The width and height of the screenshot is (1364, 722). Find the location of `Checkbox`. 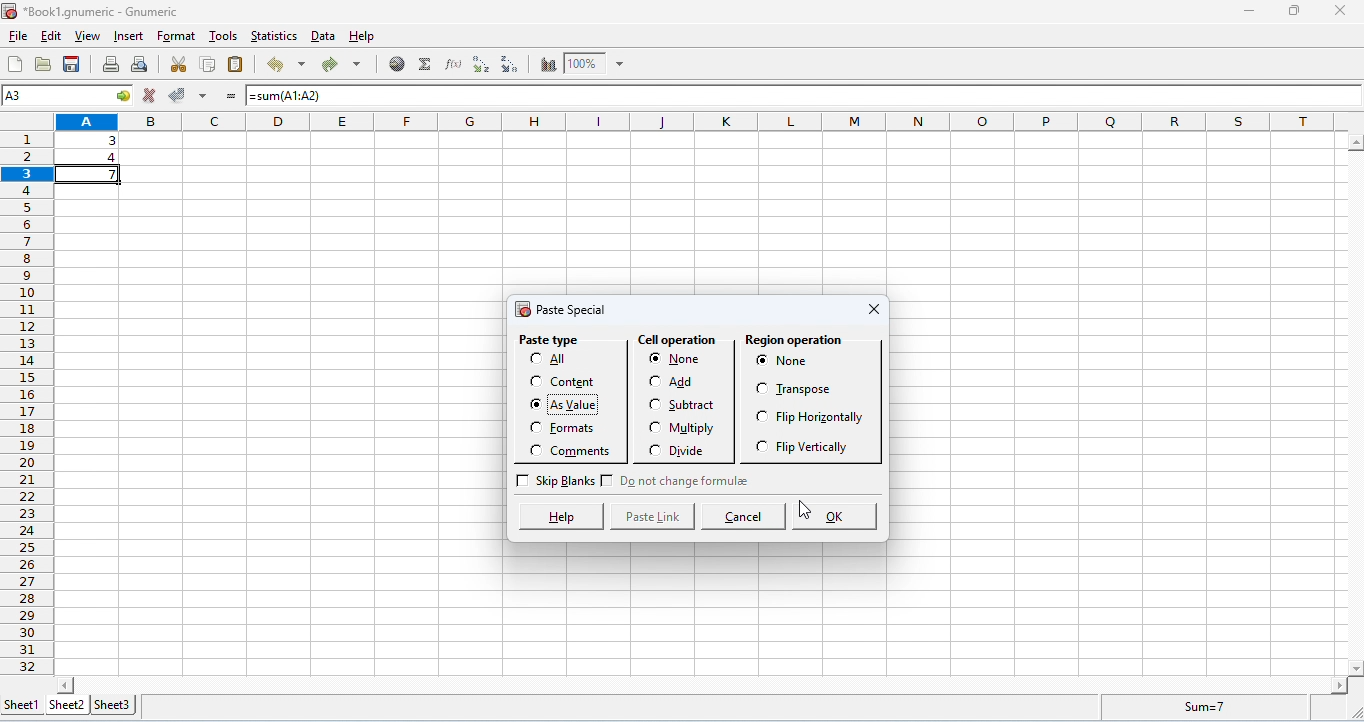

Checkbox is located at coordinates (650, 381).